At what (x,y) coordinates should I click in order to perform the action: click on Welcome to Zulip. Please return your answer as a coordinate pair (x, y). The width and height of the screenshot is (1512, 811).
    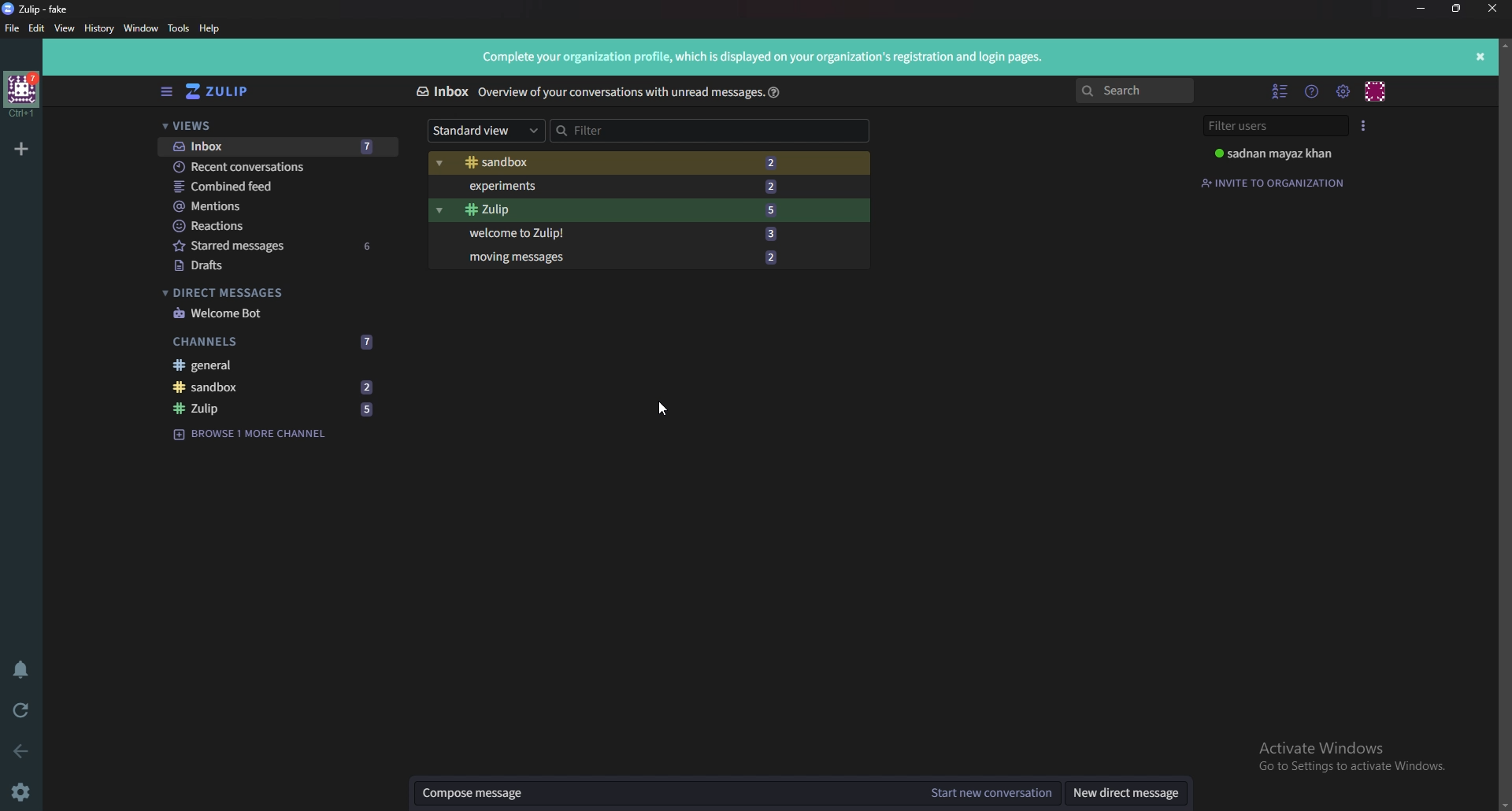
    Looking at the image, I should click on (636, 231).